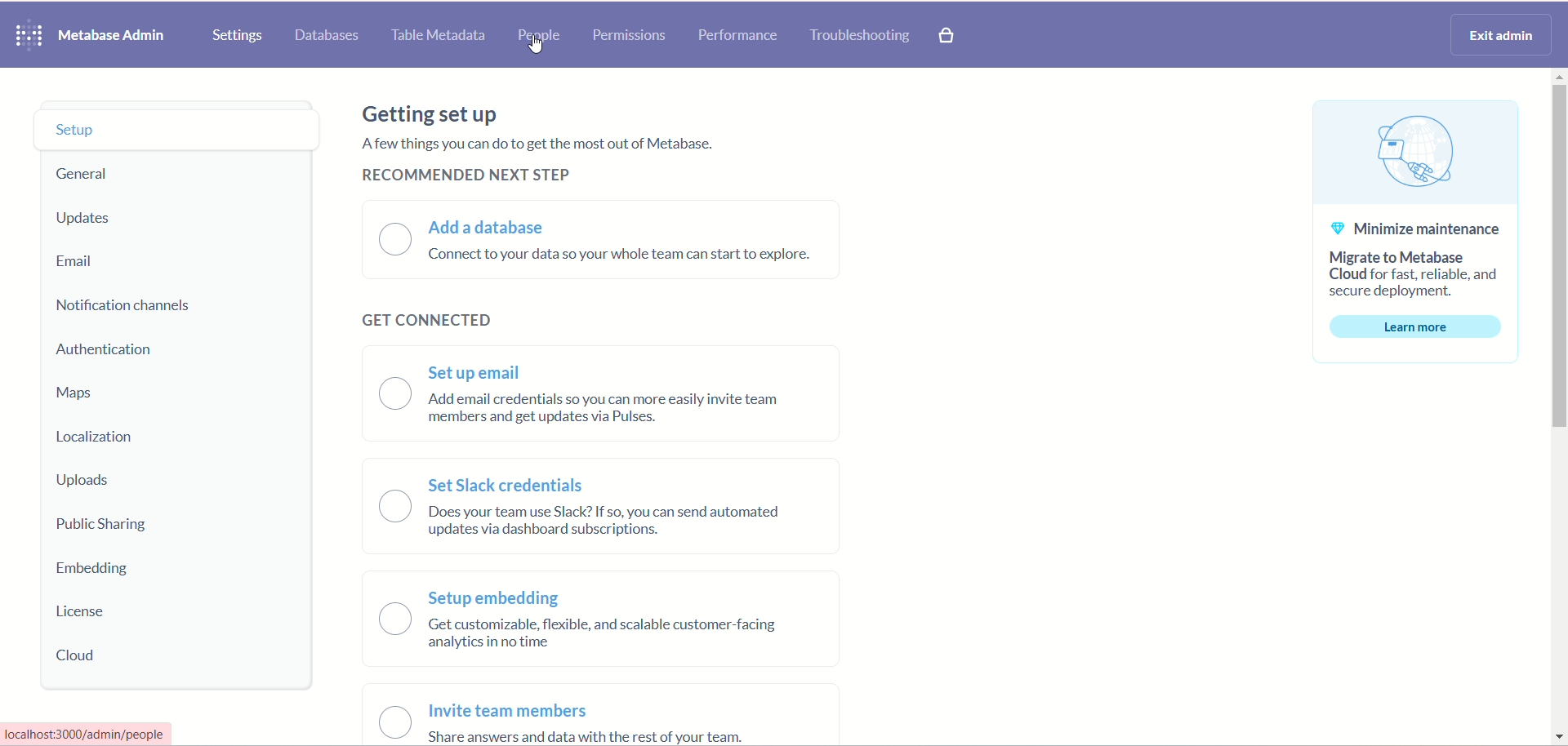 Image resolution: width=1568 pixels, height=746 pixels. Describe the element at coordinates (862, 37) in the screenshot. I see `troubleshooting` at that location.